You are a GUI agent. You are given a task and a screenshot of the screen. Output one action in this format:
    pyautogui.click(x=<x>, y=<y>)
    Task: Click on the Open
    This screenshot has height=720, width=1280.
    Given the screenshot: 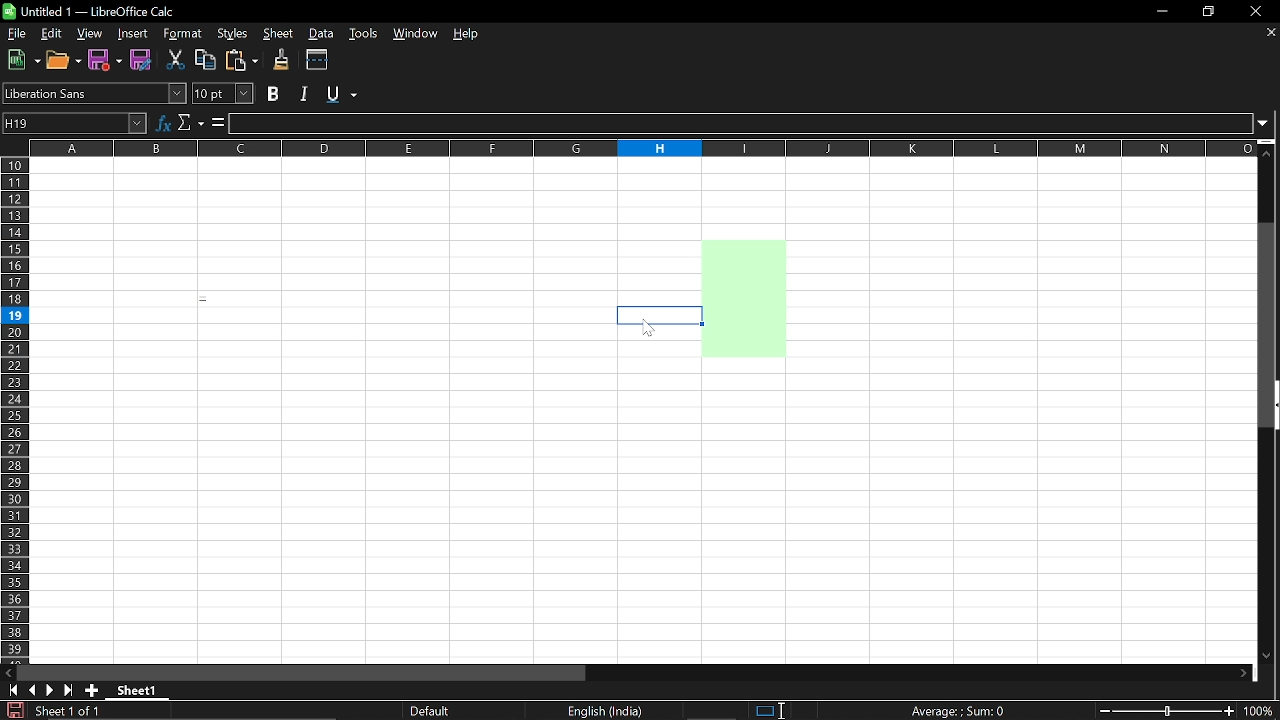 What is the action you would take?
    pyautogui.click(x=63, y=60)
    